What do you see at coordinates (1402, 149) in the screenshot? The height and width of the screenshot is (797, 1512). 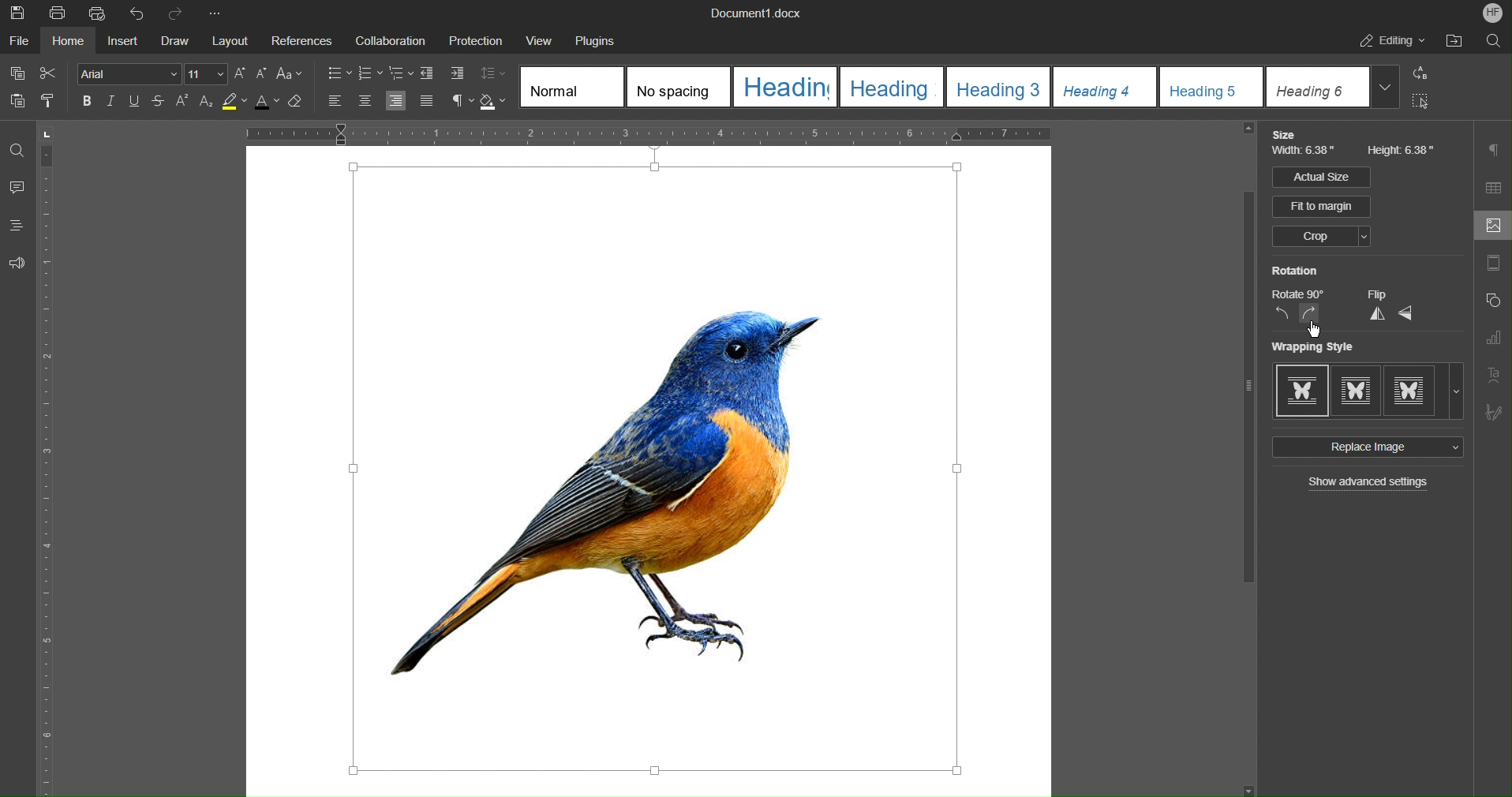 I see `Height ` at bounding box center [1402, 149].